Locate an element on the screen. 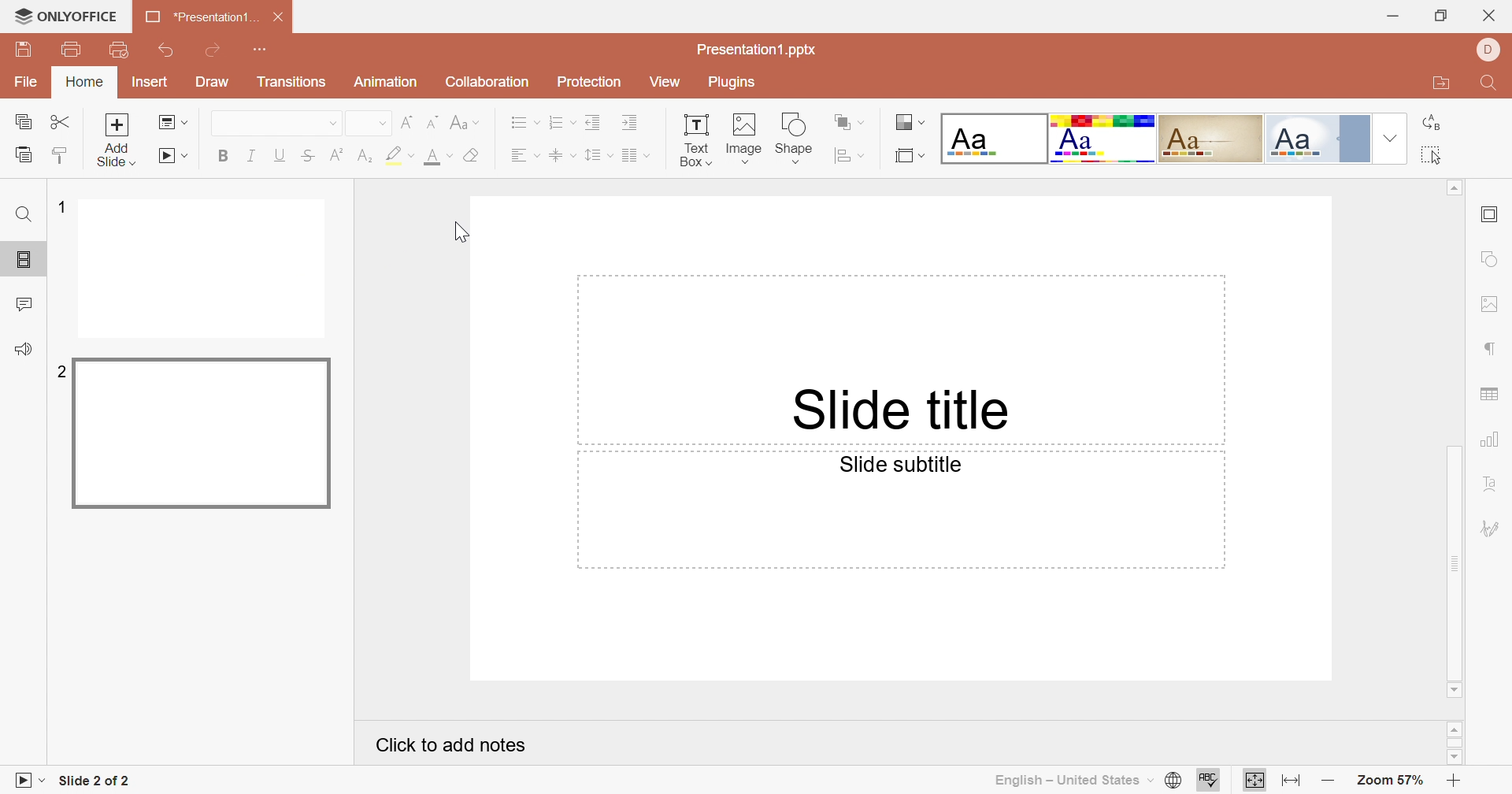 The image size is (1512, 794). 1 is located at coordinates (59, 206).